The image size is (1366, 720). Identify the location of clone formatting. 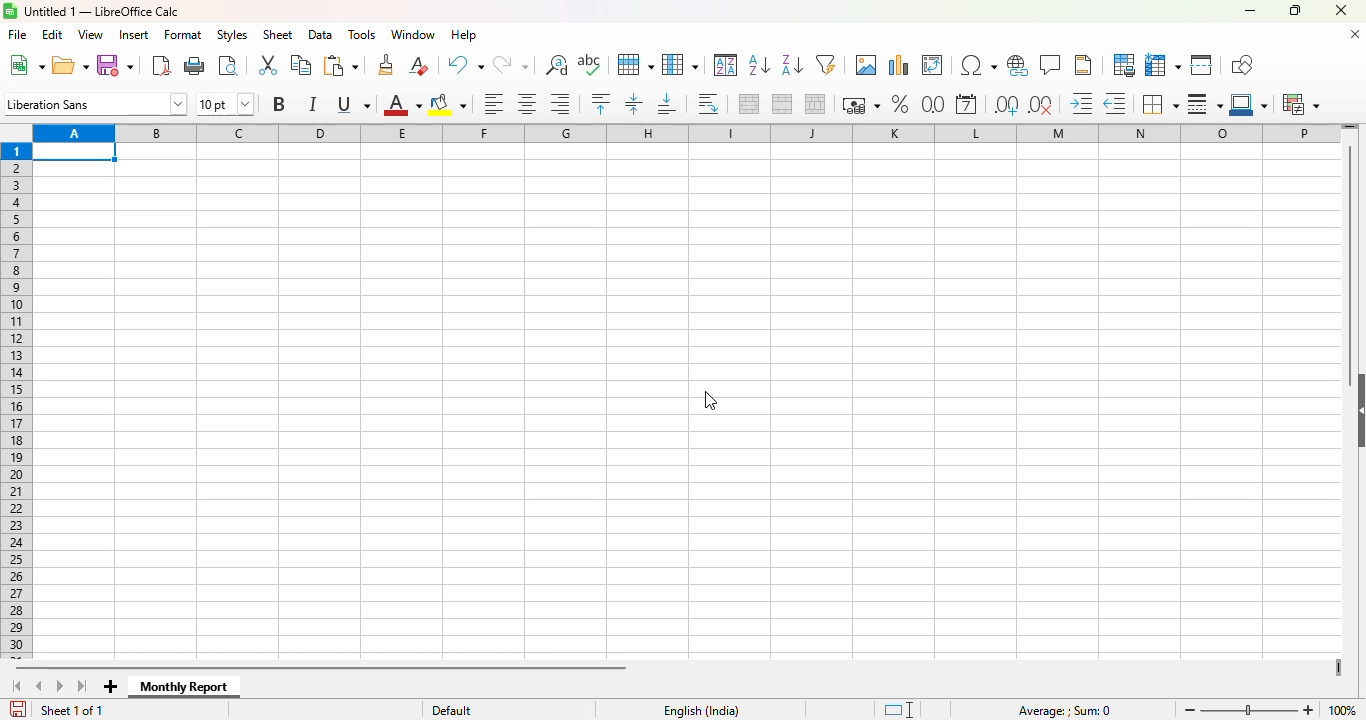
(387, 65).